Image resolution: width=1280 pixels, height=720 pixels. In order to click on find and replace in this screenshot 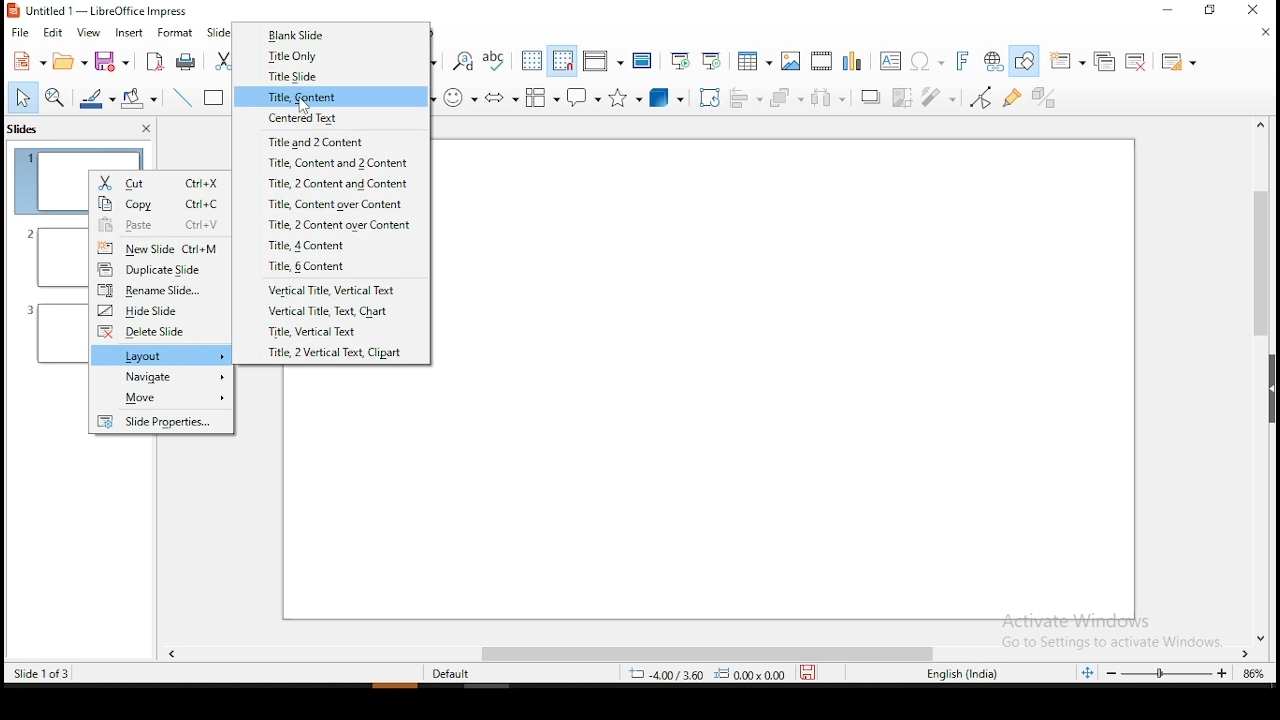, I will do `click(464, 64)`.